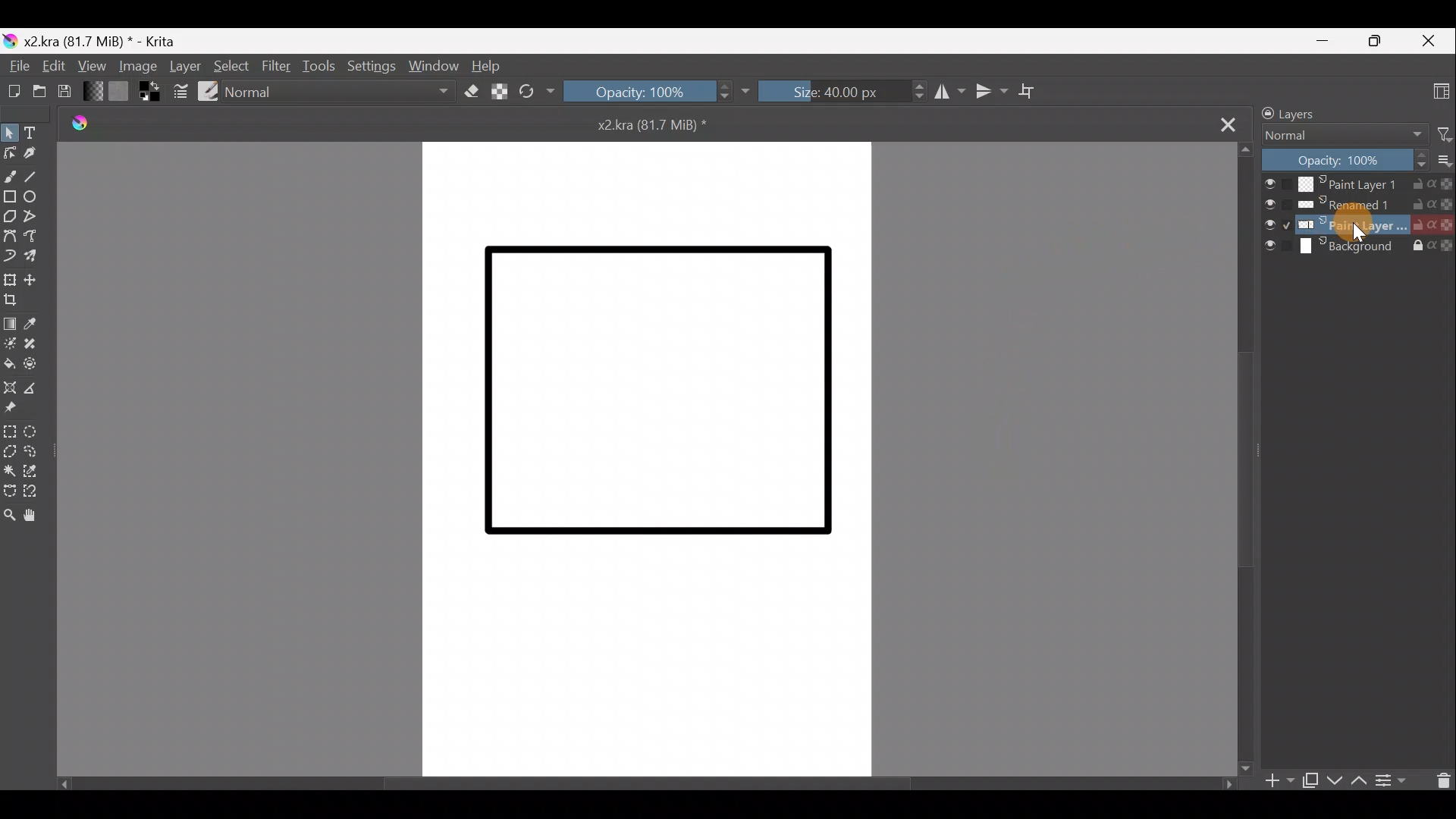  Describe the element at coordinates (35, 515) in the screenshot. I see `Pan tool` at that location.